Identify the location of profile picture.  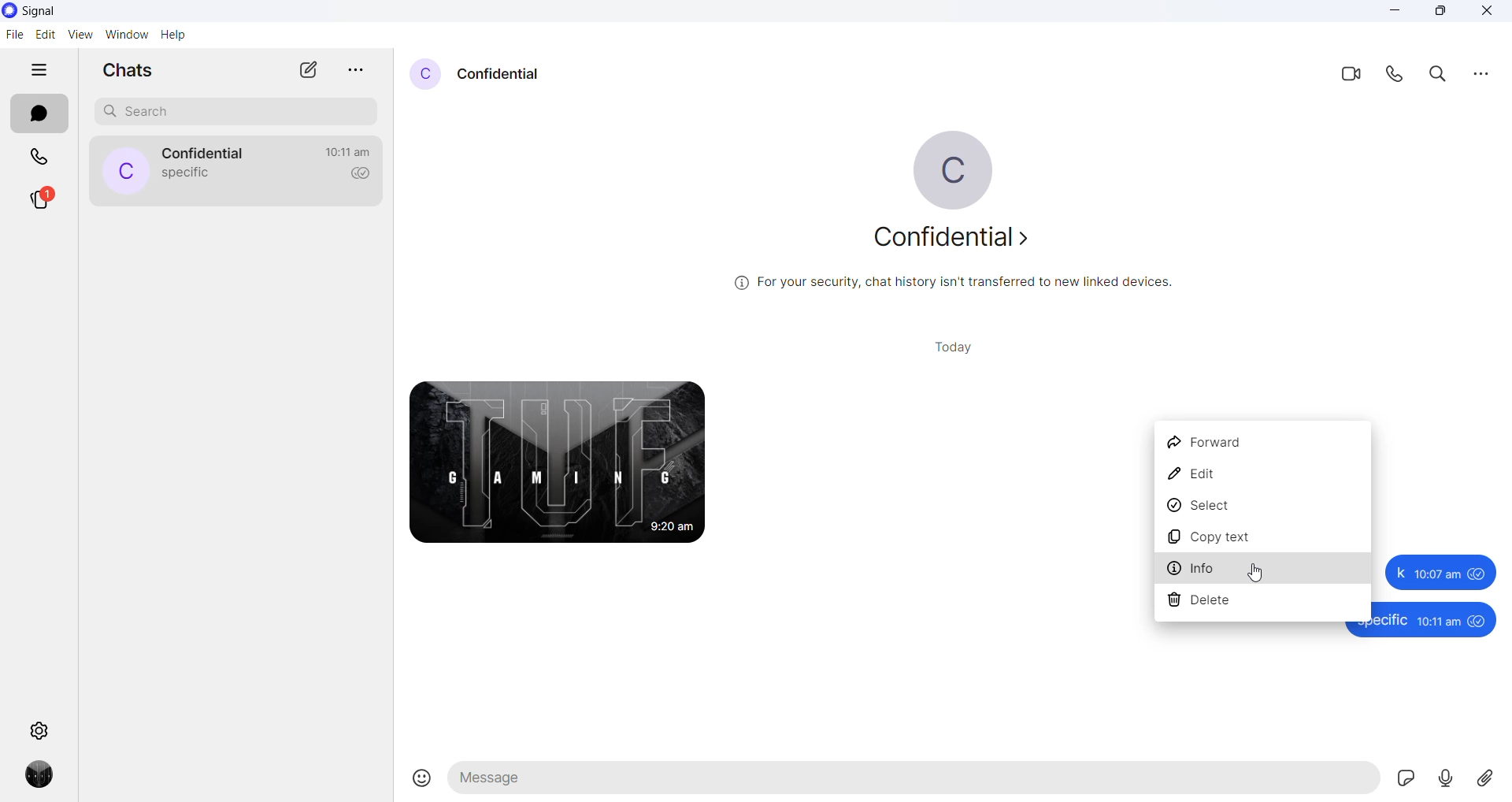
(423, 76).